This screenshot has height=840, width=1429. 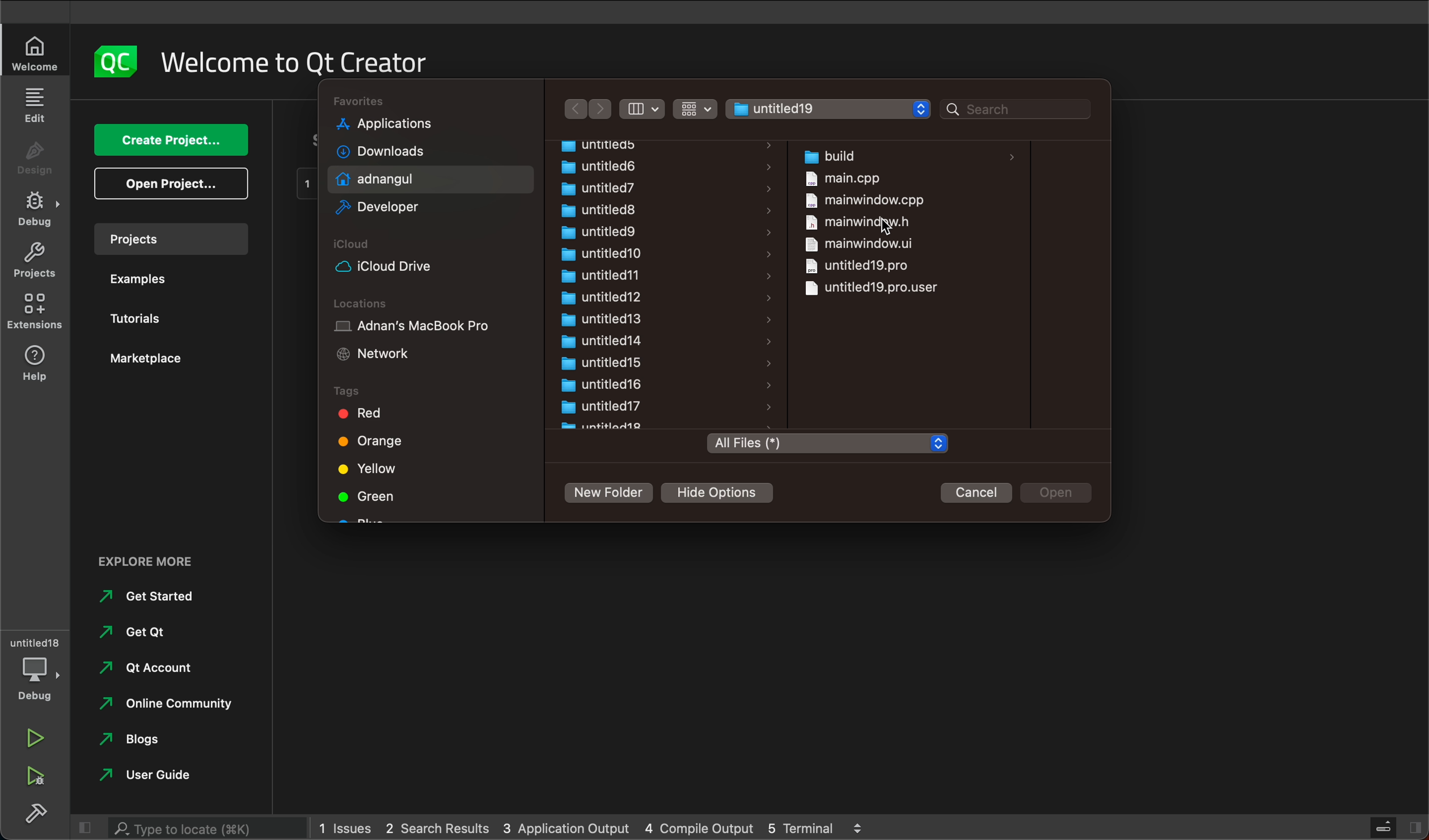 I want to click on untitled6, so click(x=616, y=166).